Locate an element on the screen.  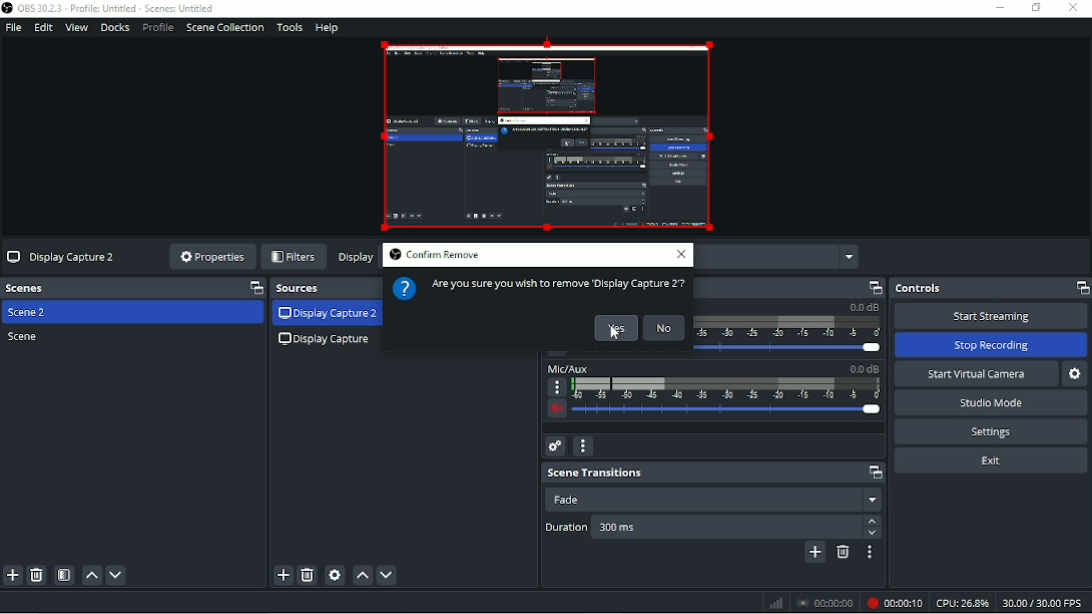
Move source(s) up is located at coordinates (361, 574).